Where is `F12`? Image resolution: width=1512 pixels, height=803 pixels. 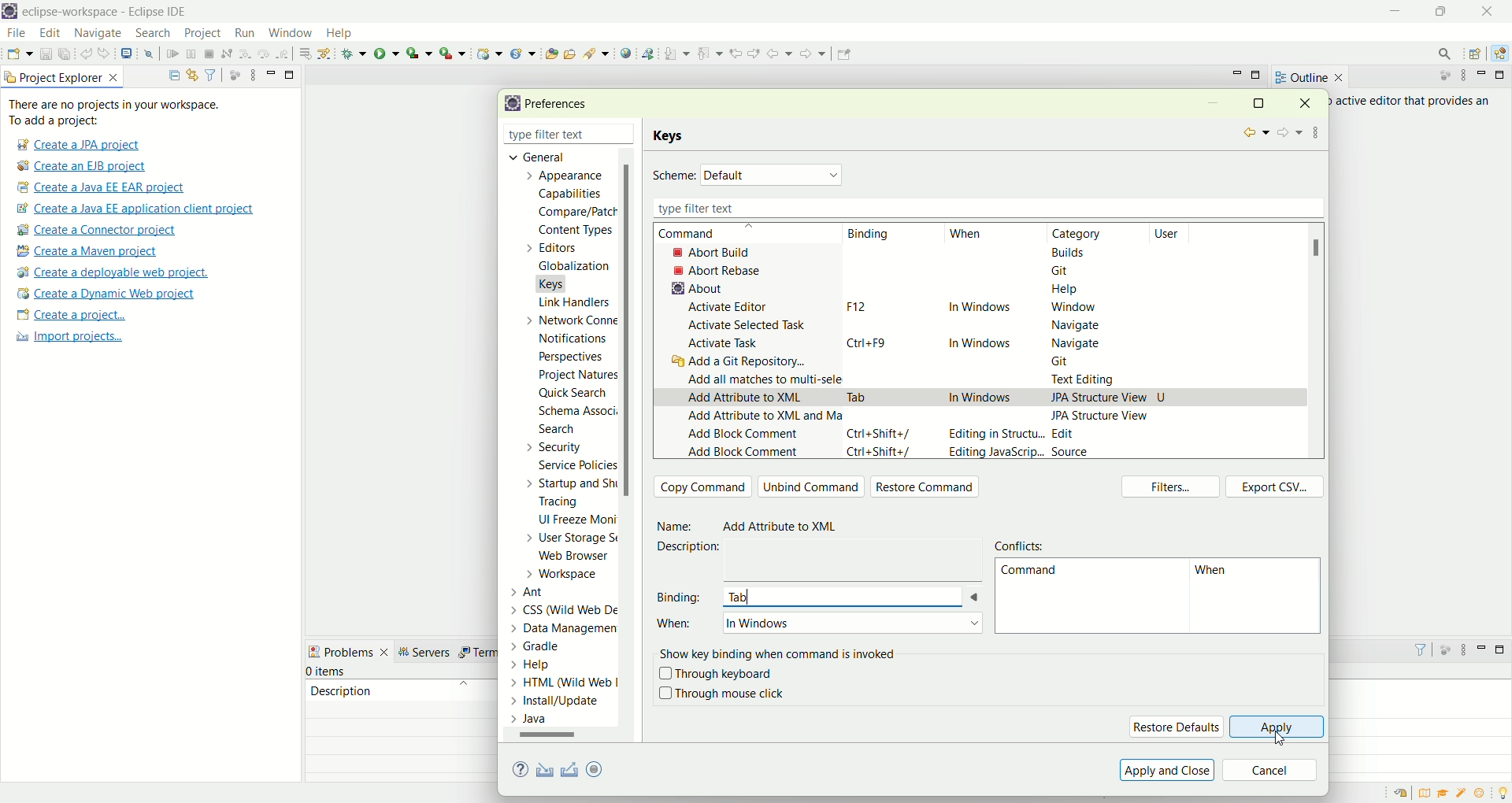
F12 is located at coordinates (854, 306).